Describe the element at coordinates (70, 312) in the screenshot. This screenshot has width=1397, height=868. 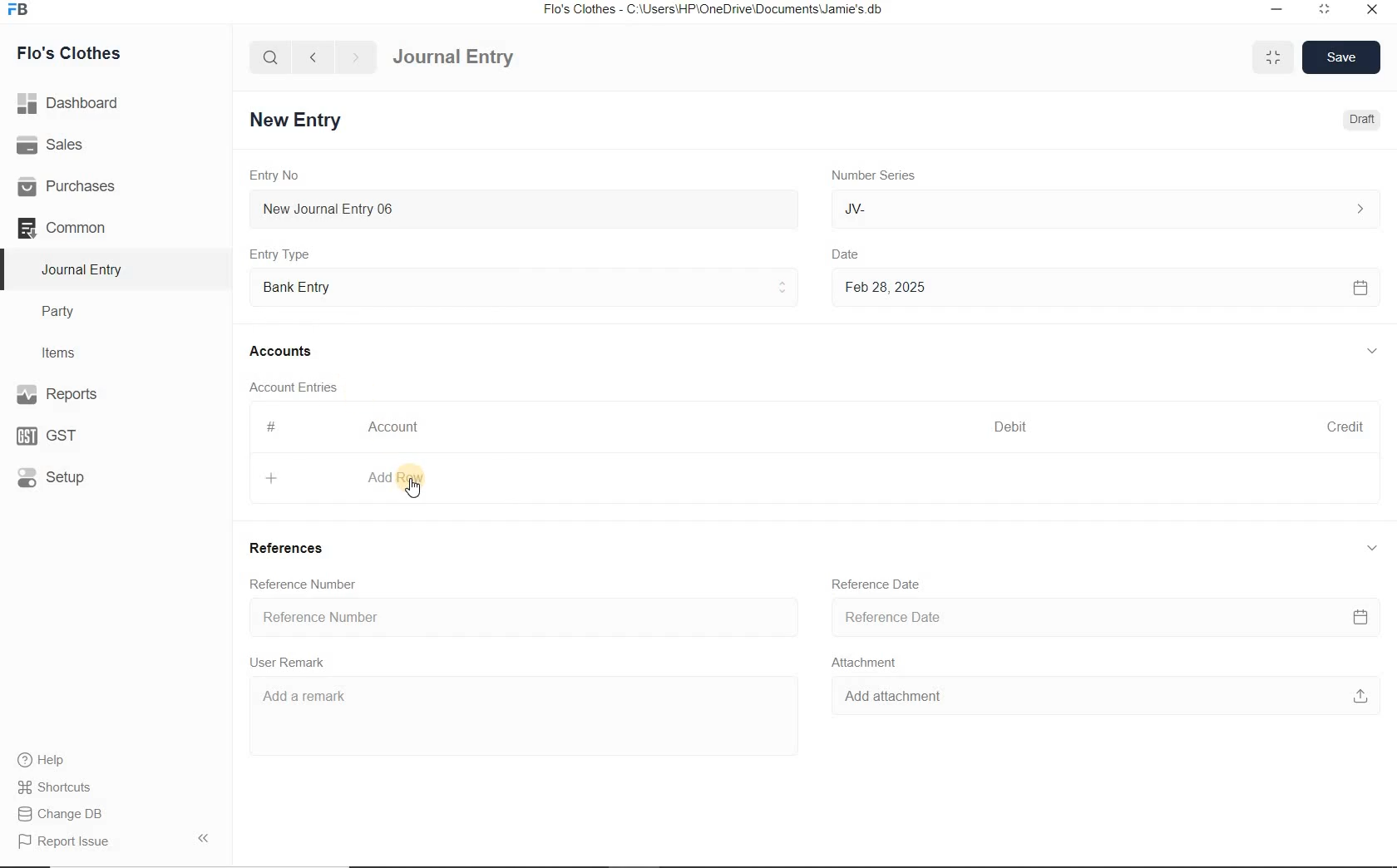
I see `Party` at that location.